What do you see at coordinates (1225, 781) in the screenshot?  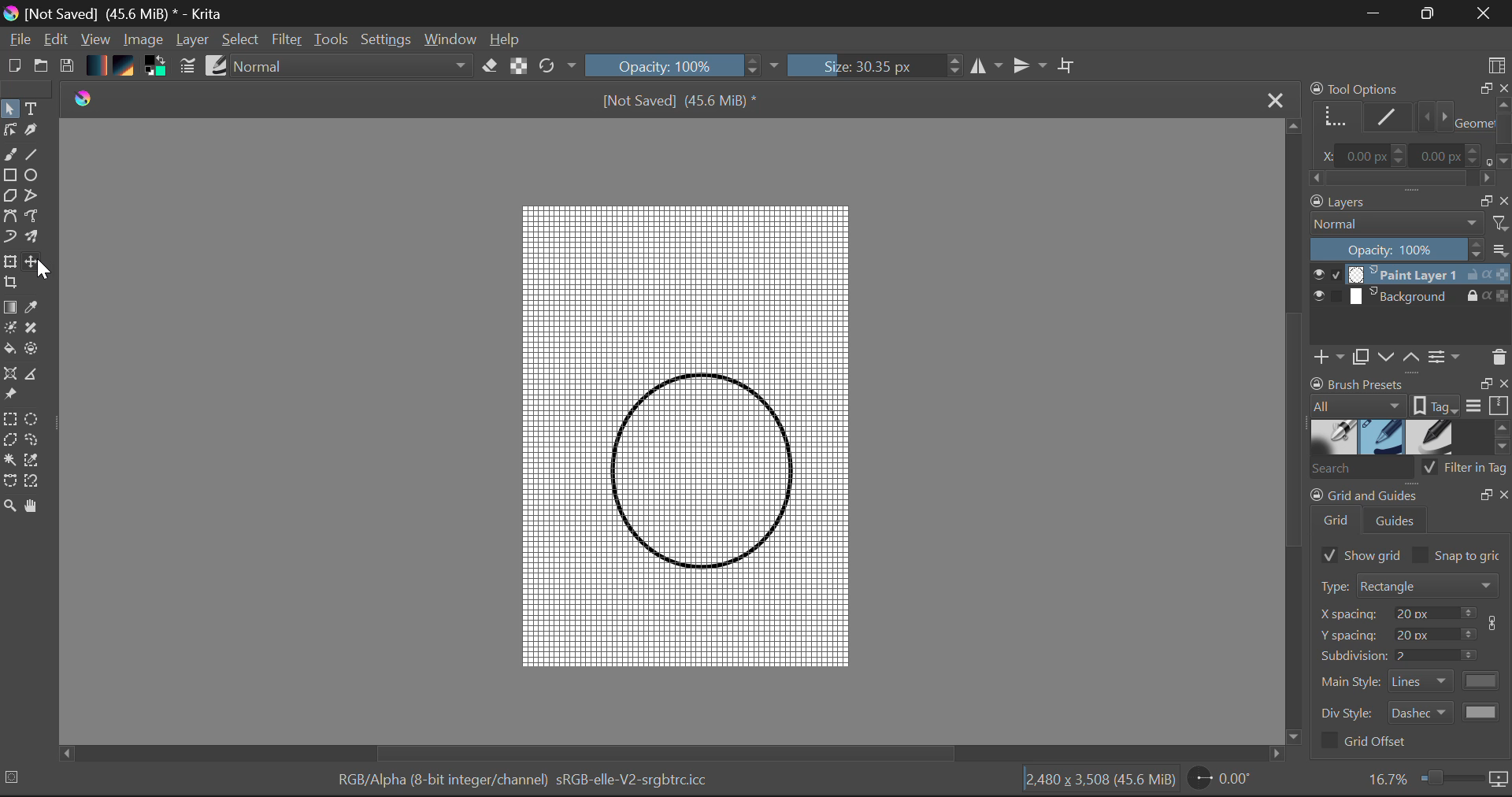 I see `Page Rotation` at bounding box center [1225, 781].